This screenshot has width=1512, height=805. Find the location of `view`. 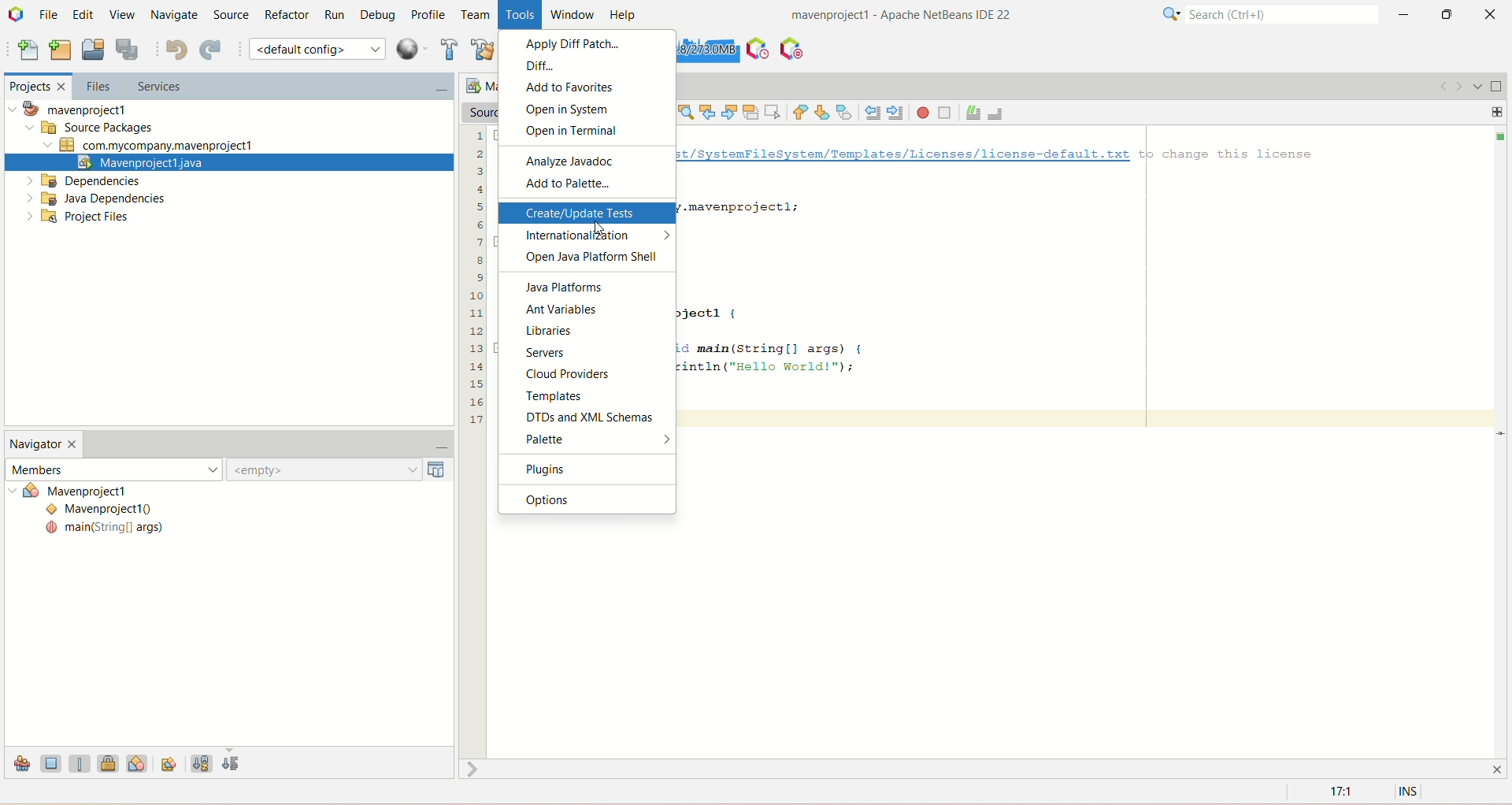

view is located at coordinates (119, 13).